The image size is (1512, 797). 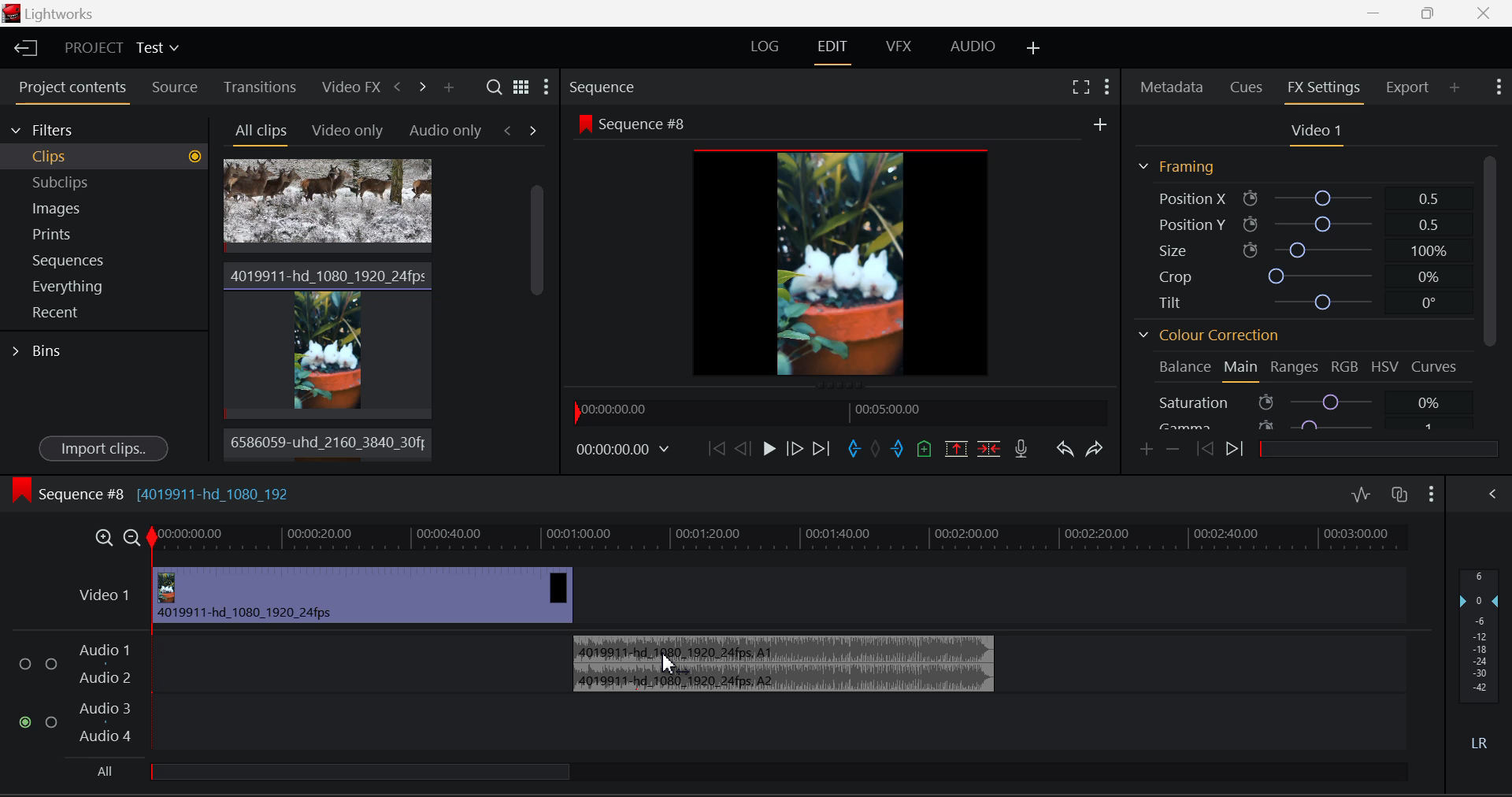 What do you see at coordinates (105, 182) in the screenshot?
I see `Subclips` at bounding box center [105, 182].